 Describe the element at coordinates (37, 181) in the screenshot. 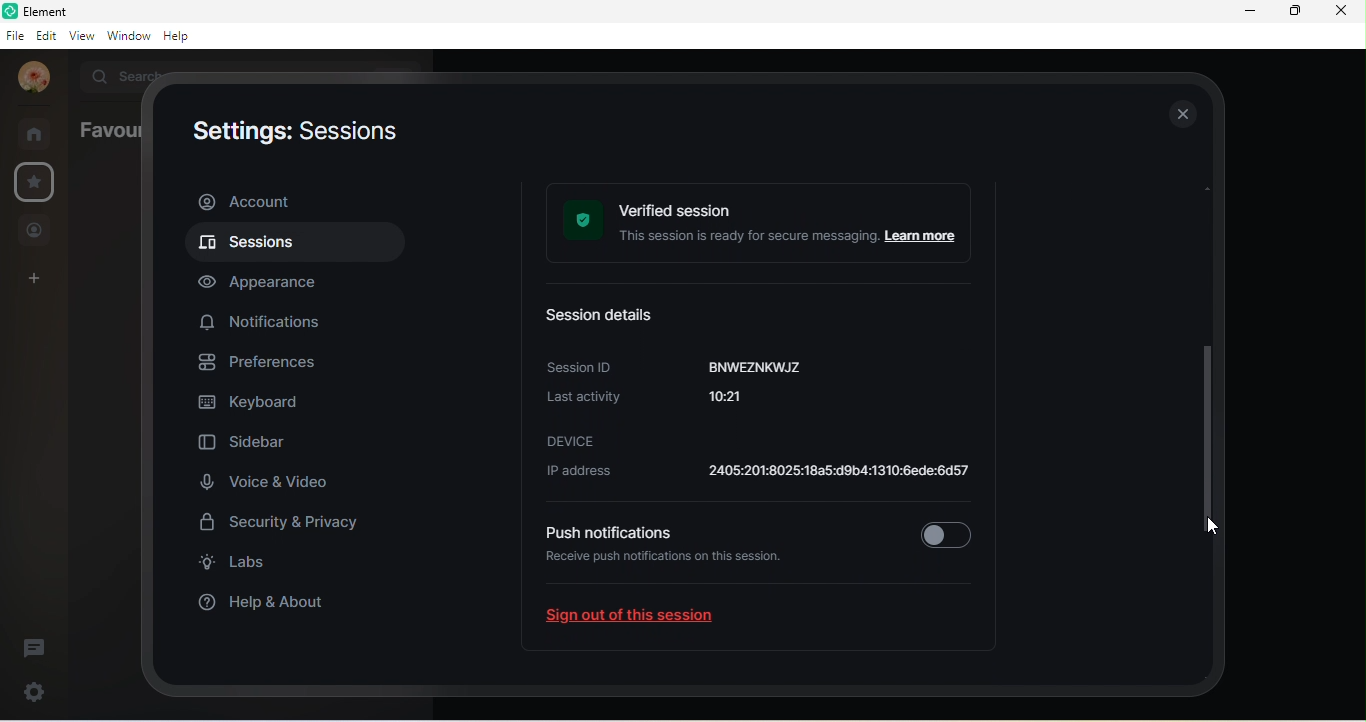

I see `settings` at that location.